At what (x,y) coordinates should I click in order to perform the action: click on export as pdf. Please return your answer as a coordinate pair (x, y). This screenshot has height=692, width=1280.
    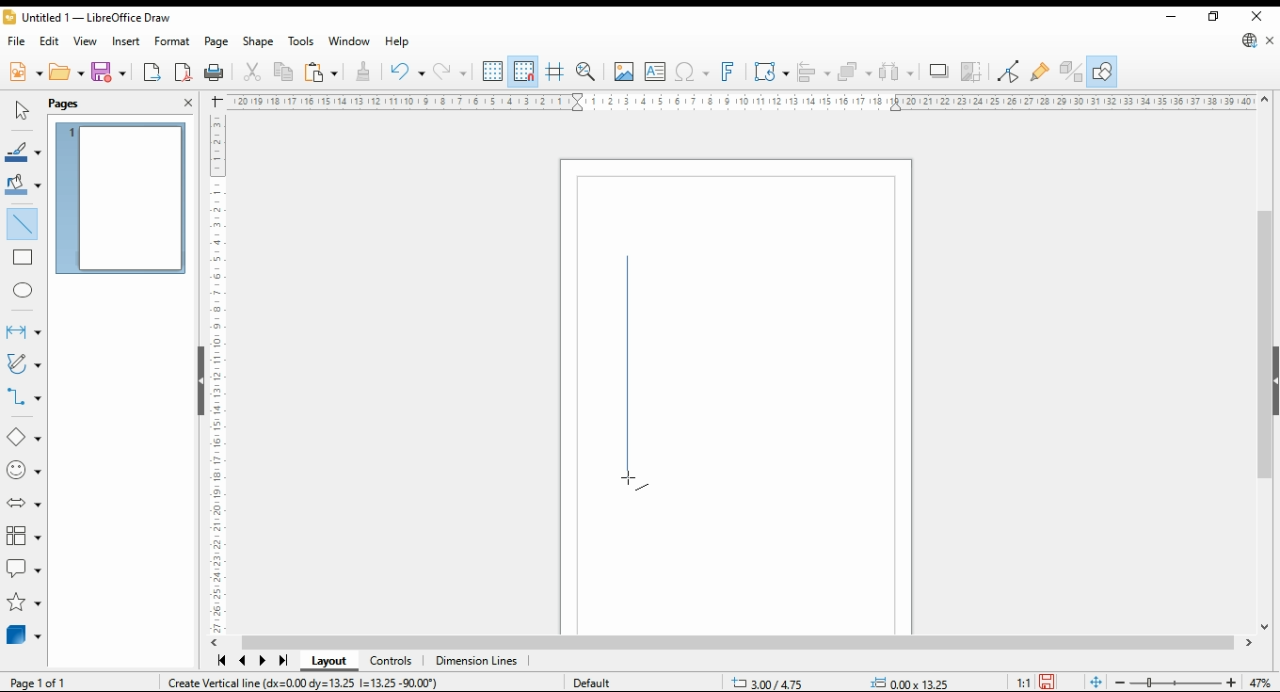
    Looking at the image, I should click on (183, 72).